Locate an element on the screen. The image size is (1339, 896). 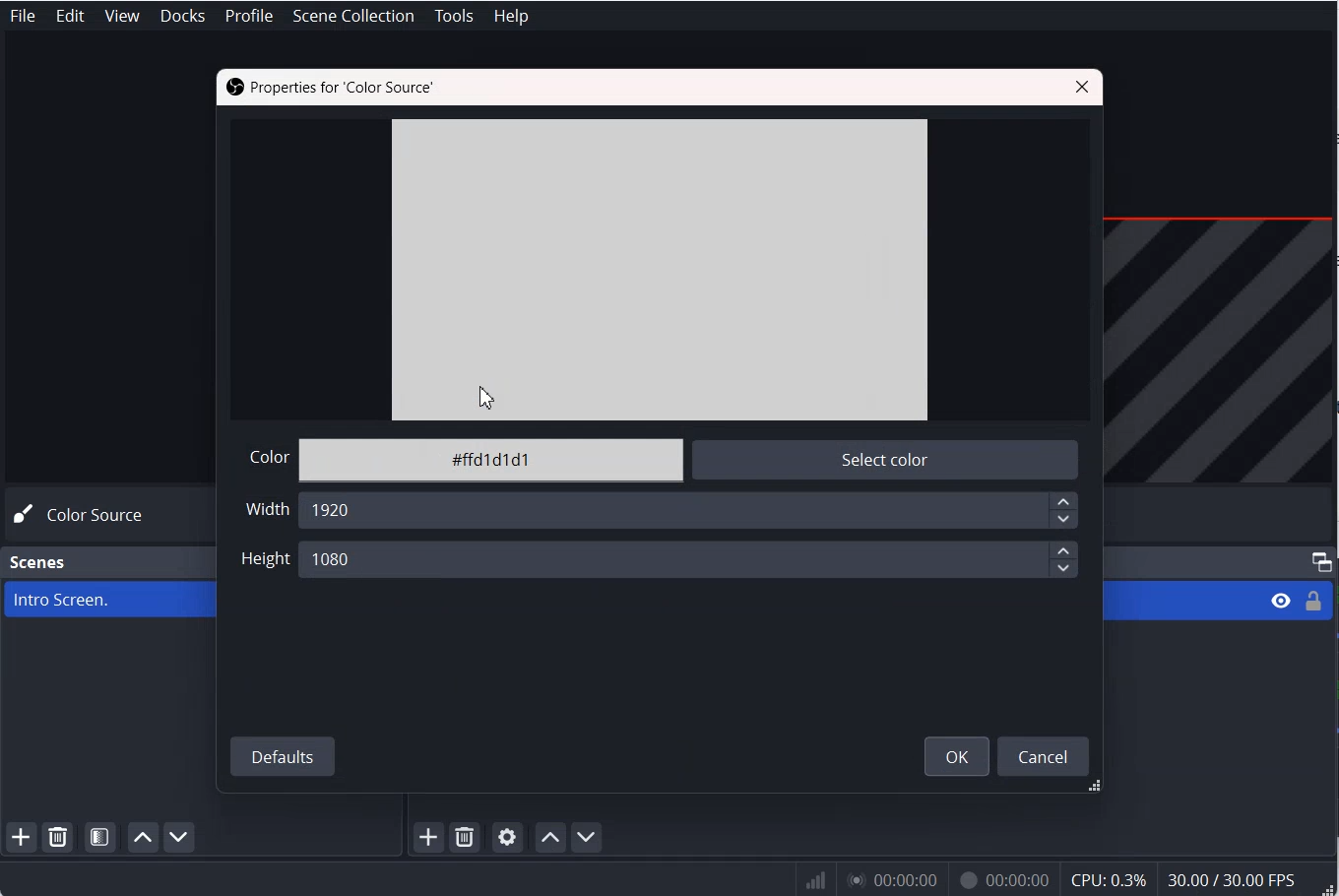
Intro Screen  is located at coordinates (104, 599).